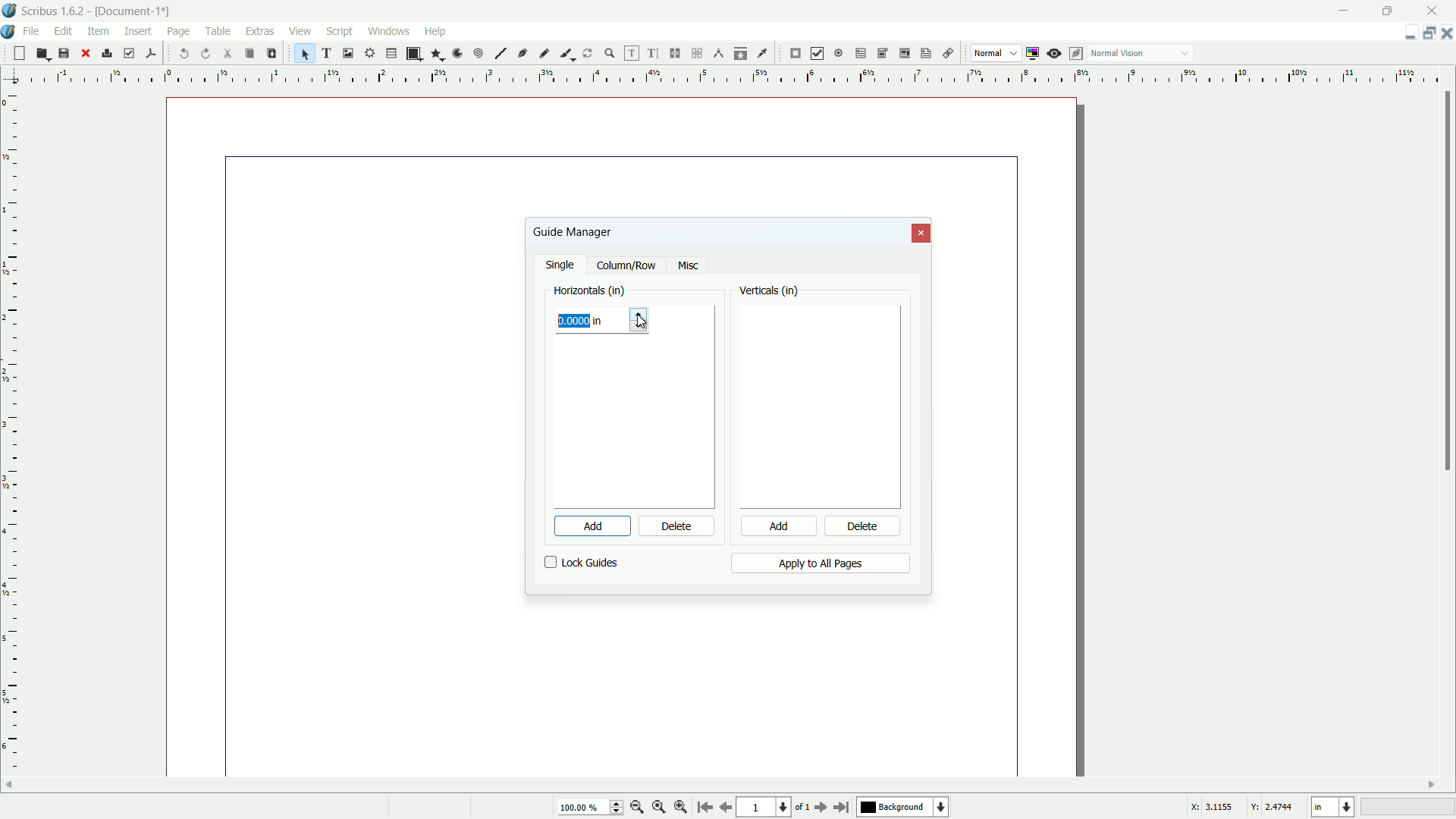 This screenshot has width=1456, height=819. I want to click on text frame, so click(328, 53).